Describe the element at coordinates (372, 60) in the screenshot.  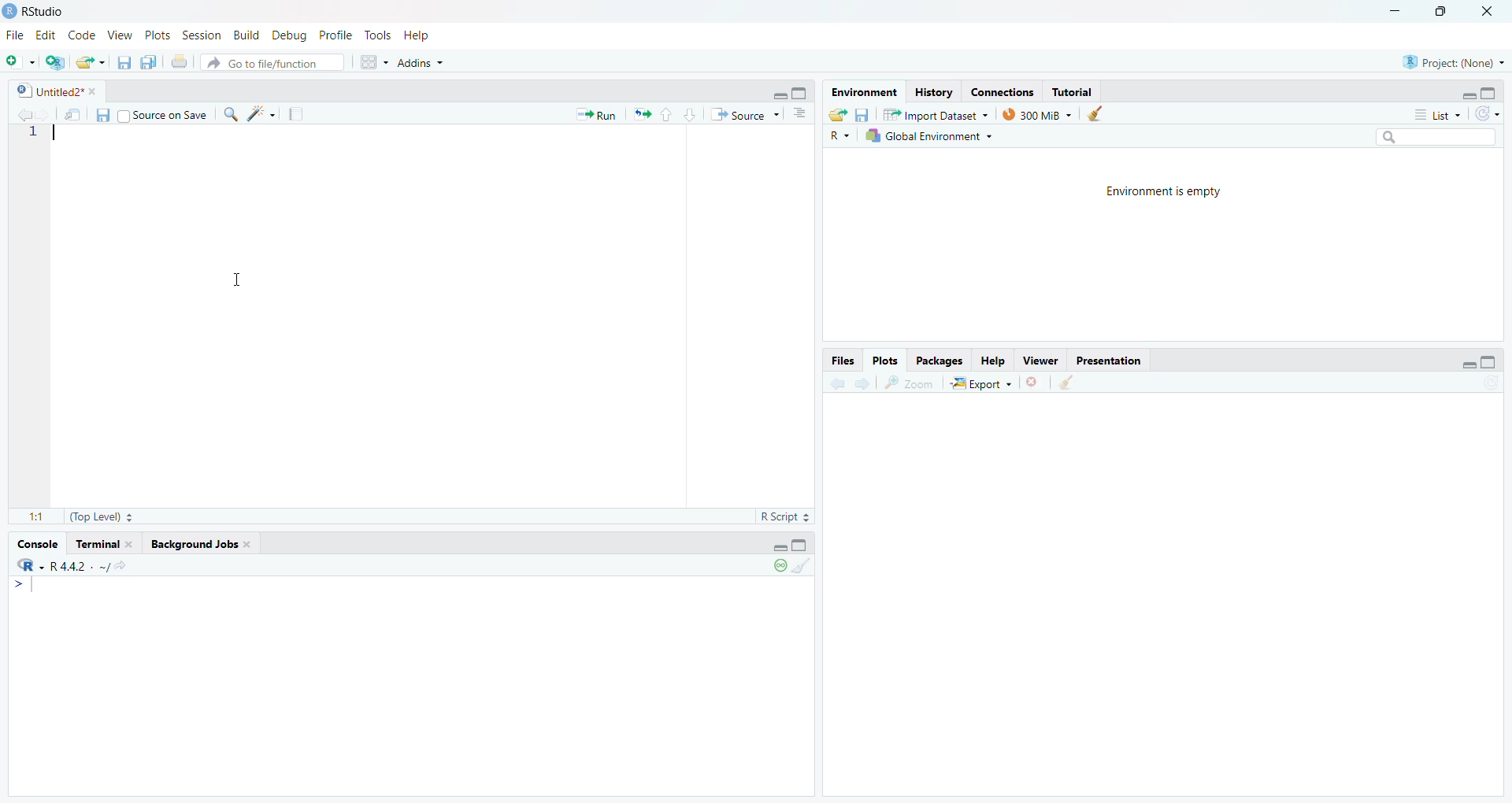
I see `workspace pane` at that location.